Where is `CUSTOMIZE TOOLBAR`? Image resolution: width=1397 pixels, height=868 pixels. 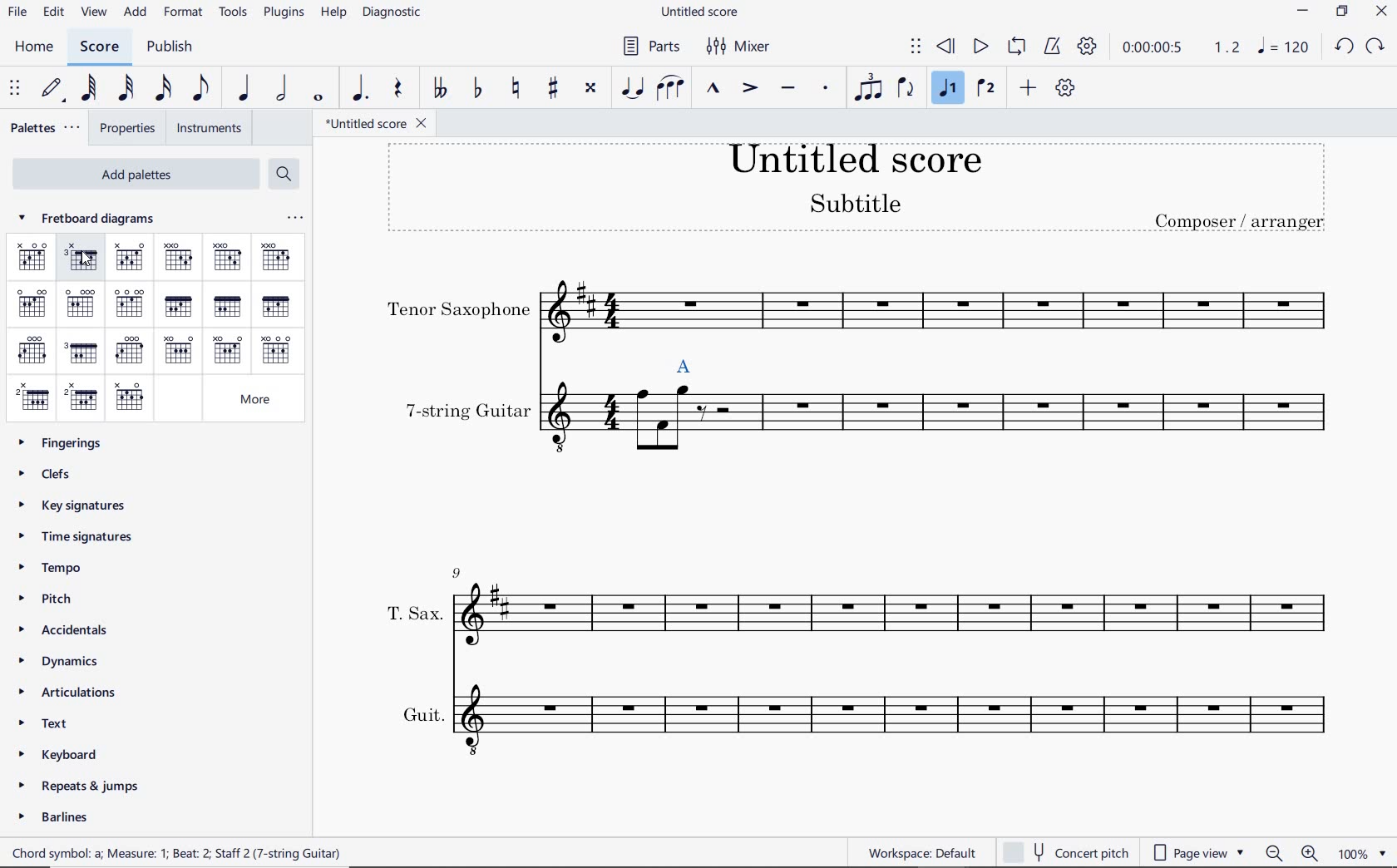
CUSTOMIZE TOOLBAR is located at coordinates (1063, 89).